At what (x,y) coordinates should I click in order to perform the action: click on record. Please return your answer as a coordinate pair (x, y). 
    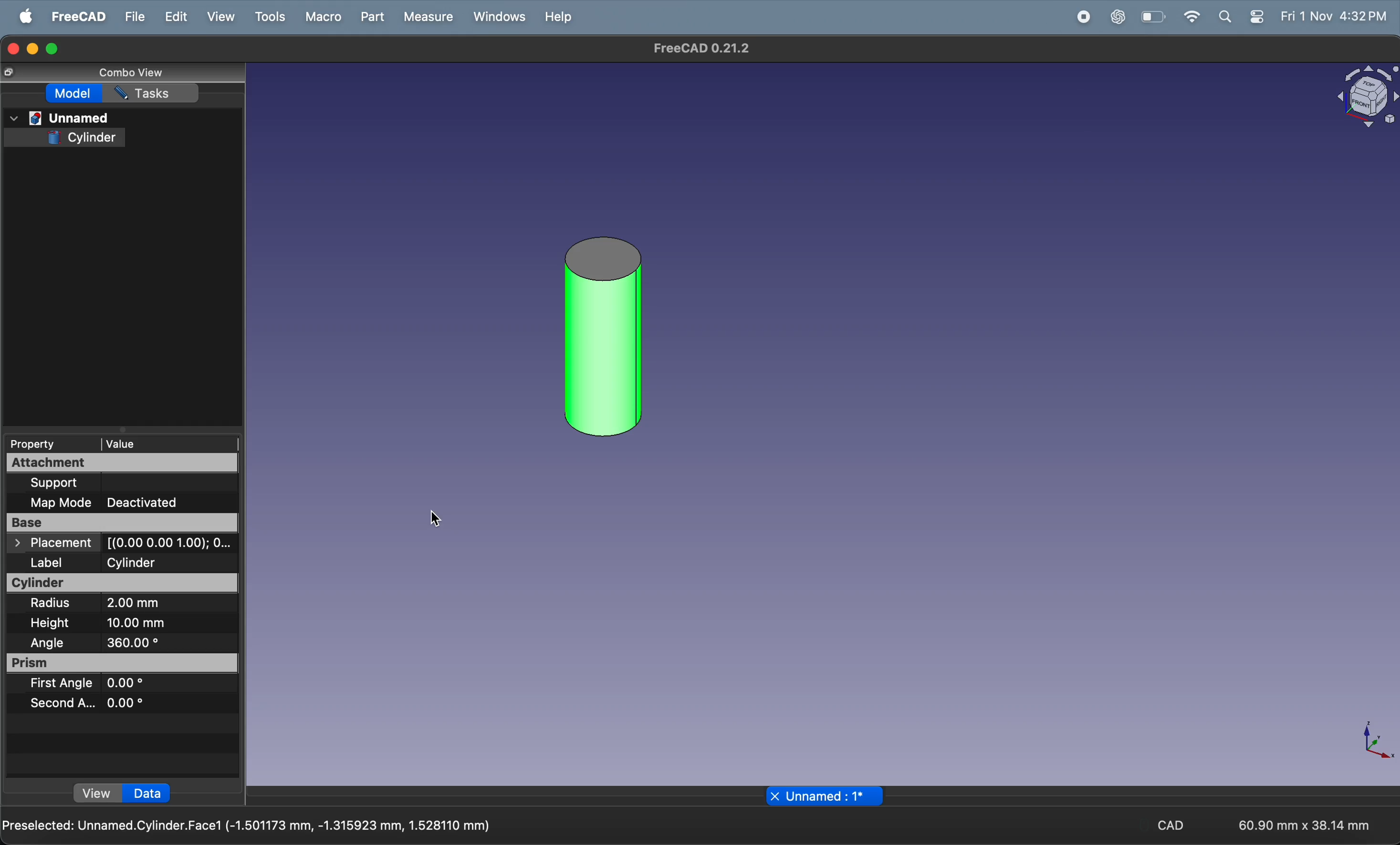
    Looking at the image, I should click on (1080, 17).